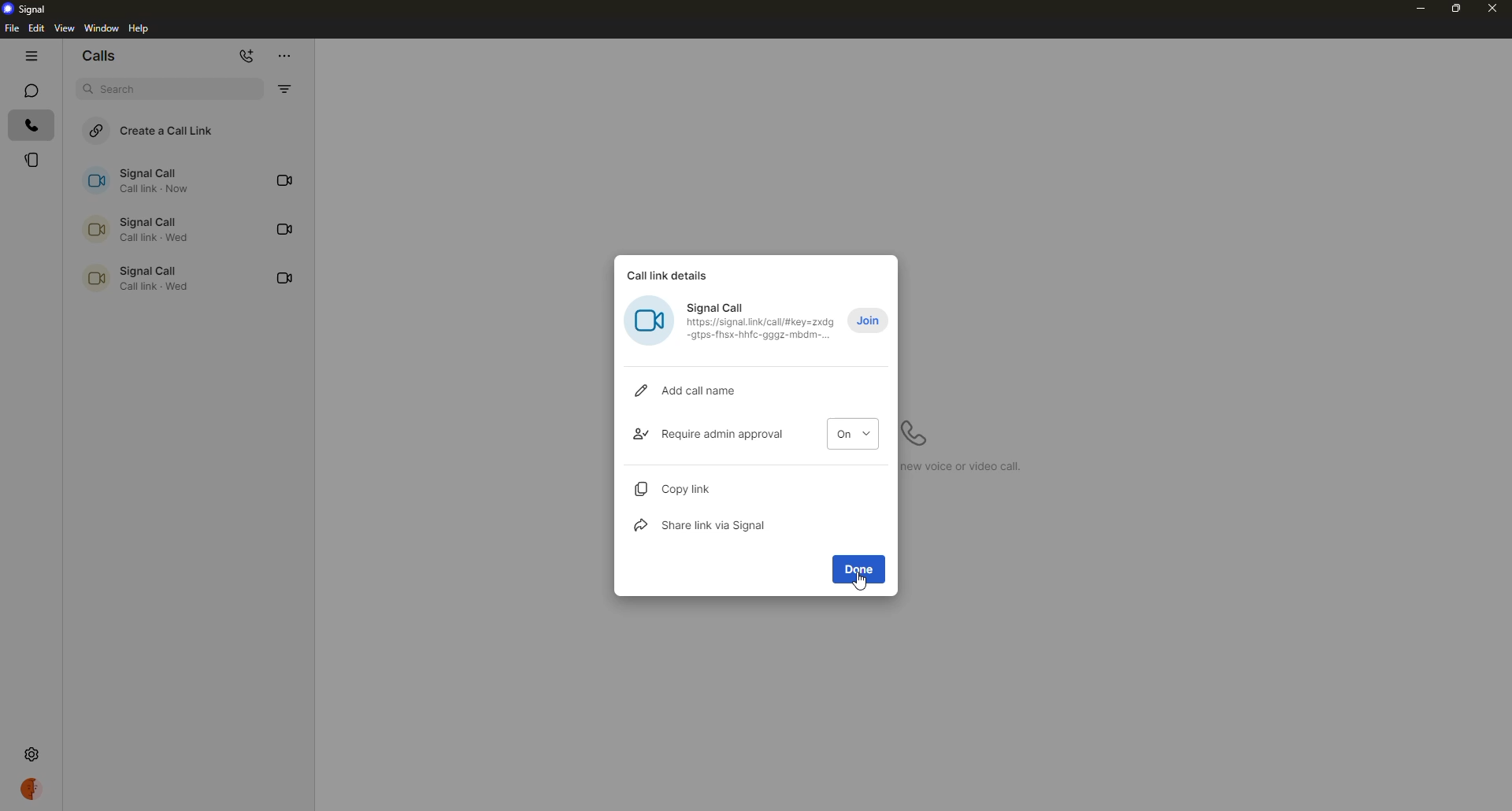  What do you see at coordinates (105, 56) in the screenshot?
I see `calls` at bounding box center [105, 56].